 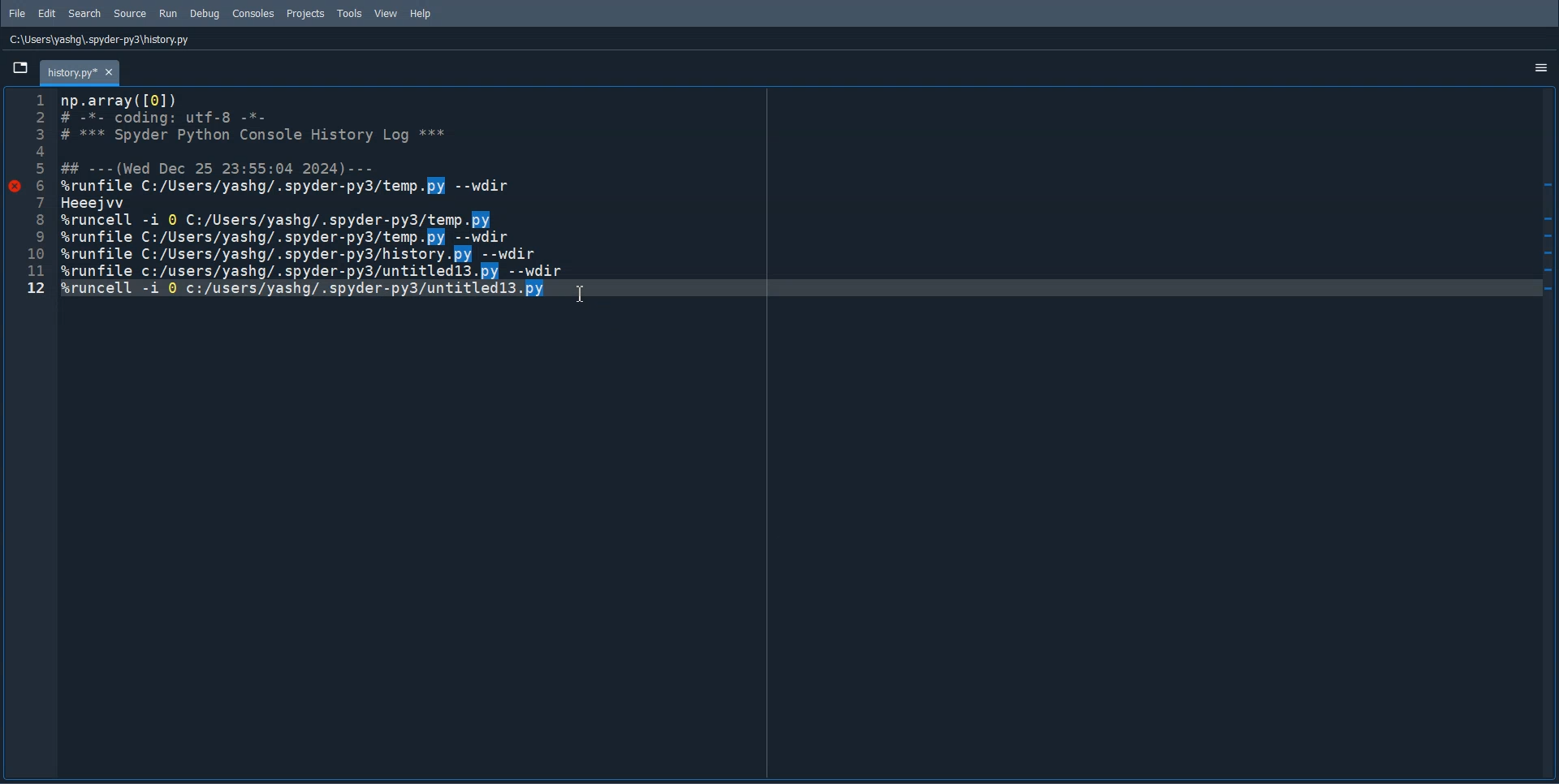 What do you see at coordinates (1543, 69) in the screenshot?
I see `Options` at bounding box center [1543, 69].